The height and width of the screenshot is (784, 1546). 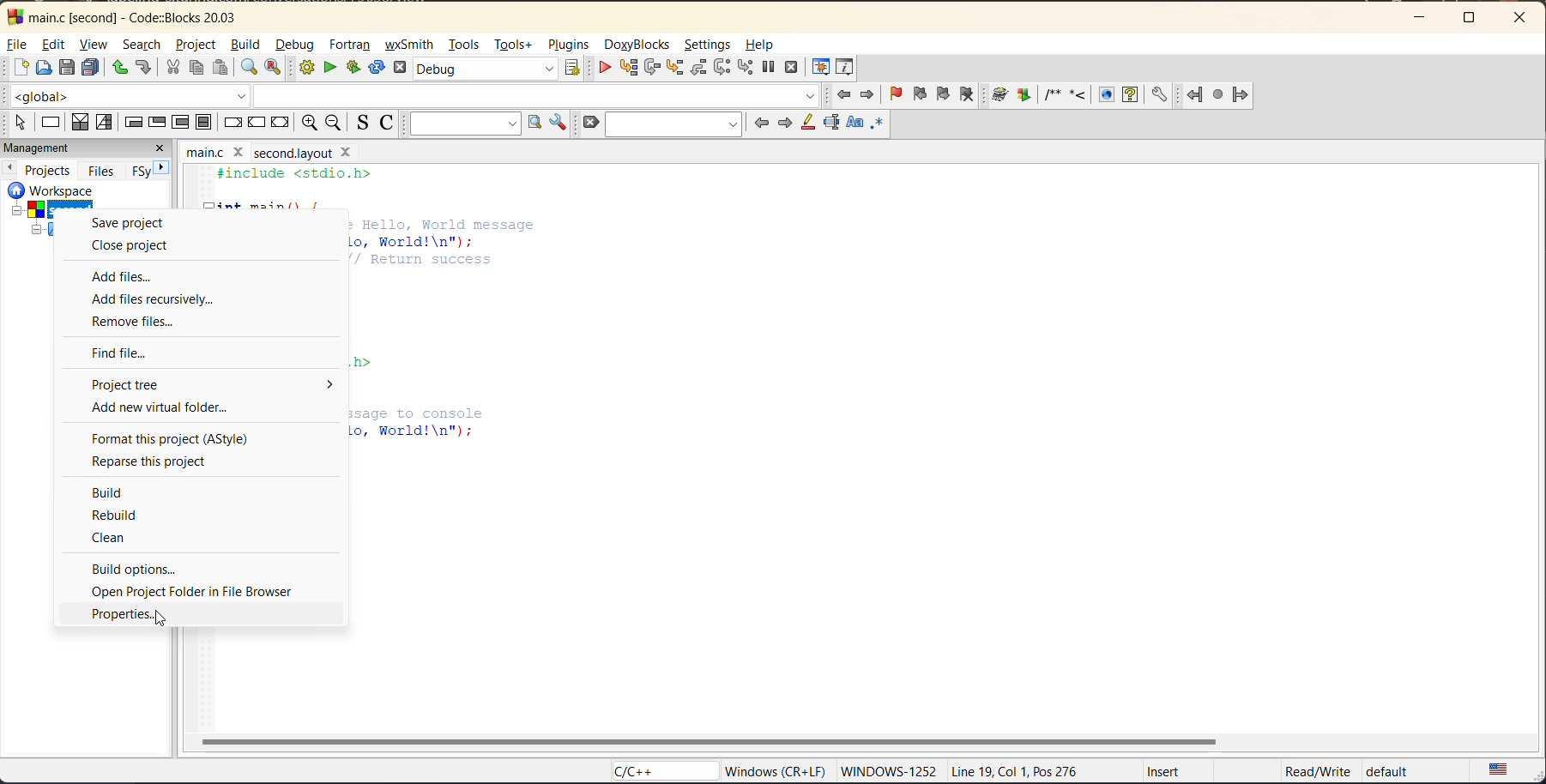 I want to click on redo, so click(x=145, y=65).